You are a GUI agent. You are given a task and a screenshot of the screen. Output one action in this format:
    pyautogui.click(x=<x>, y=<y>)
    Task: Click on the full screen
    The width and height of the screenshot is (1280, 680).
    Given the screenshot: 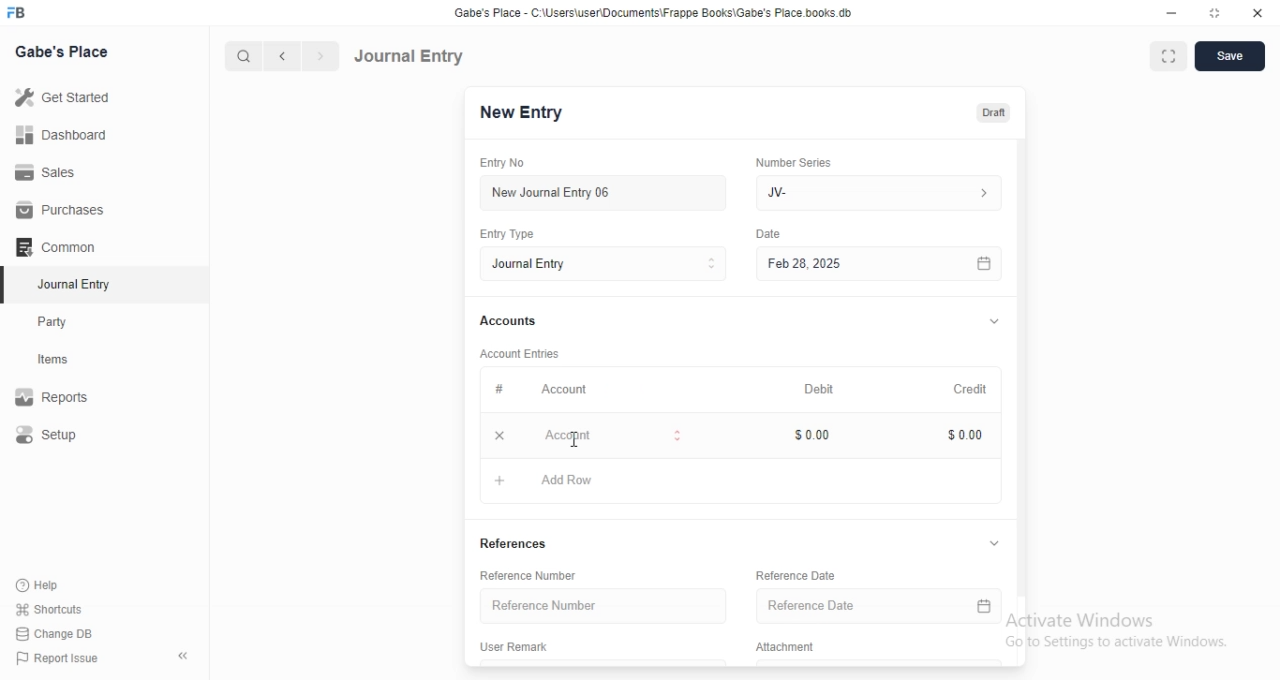 What is the action you would take?
    pyautogui.click(x=1172, y=57)
    